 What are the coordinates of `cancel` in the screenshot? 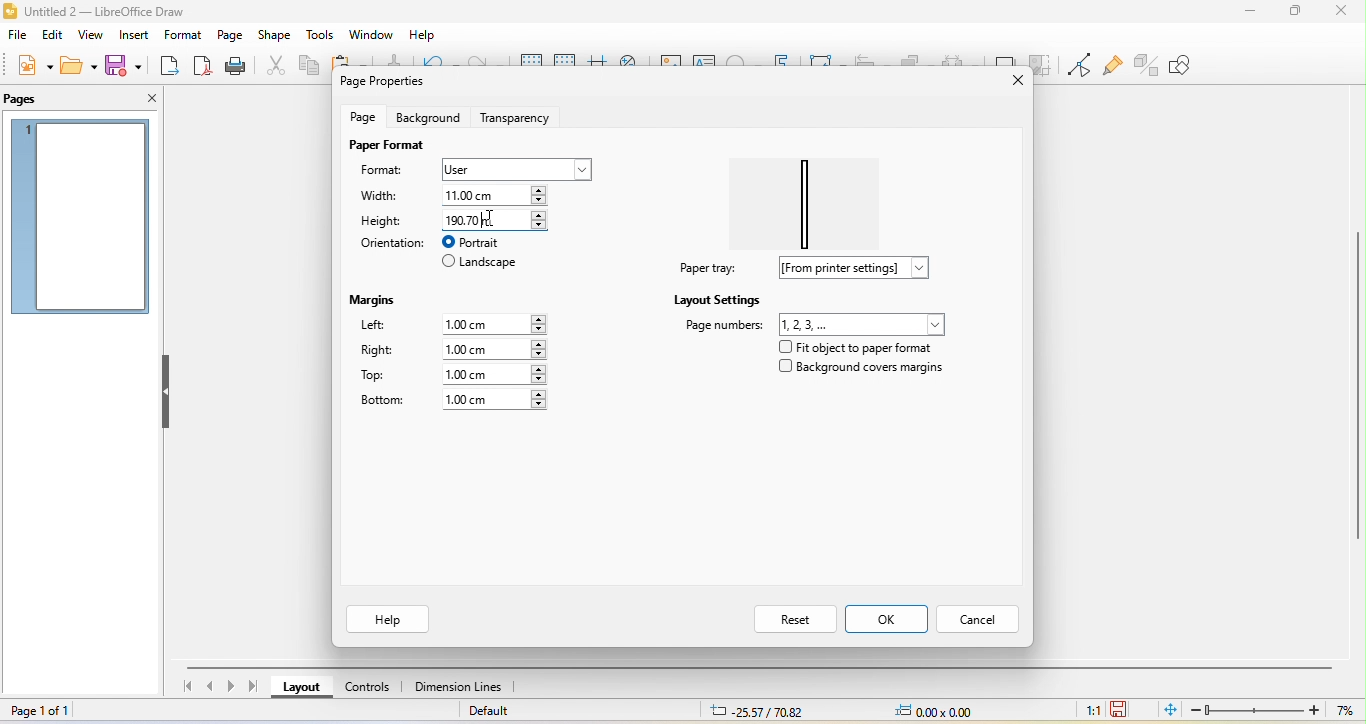 It's located at (981, 617).